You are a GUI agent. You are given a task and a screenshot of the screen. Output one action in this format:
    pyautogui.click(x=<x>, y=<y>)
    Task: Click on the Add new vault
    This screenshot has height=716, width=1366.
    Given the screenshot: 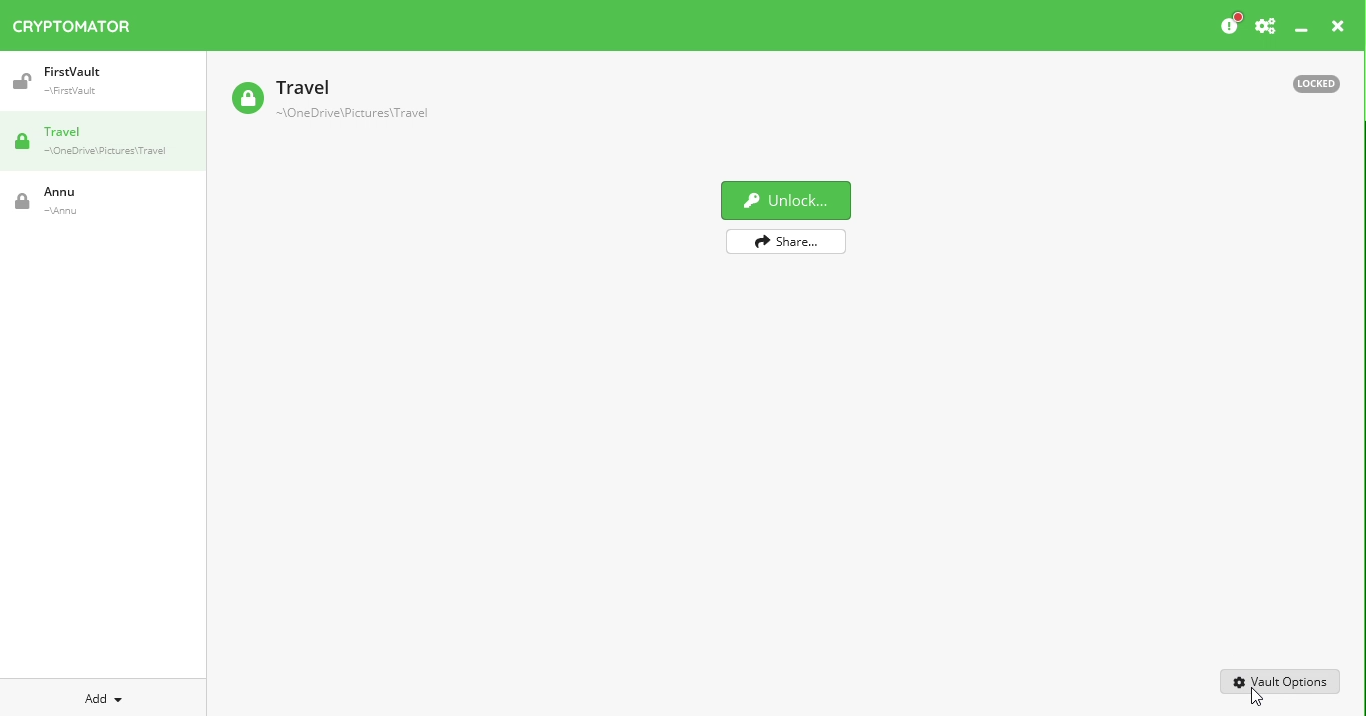 What is the action you would take?
    pyautogui.click(x=104, y=696)
    